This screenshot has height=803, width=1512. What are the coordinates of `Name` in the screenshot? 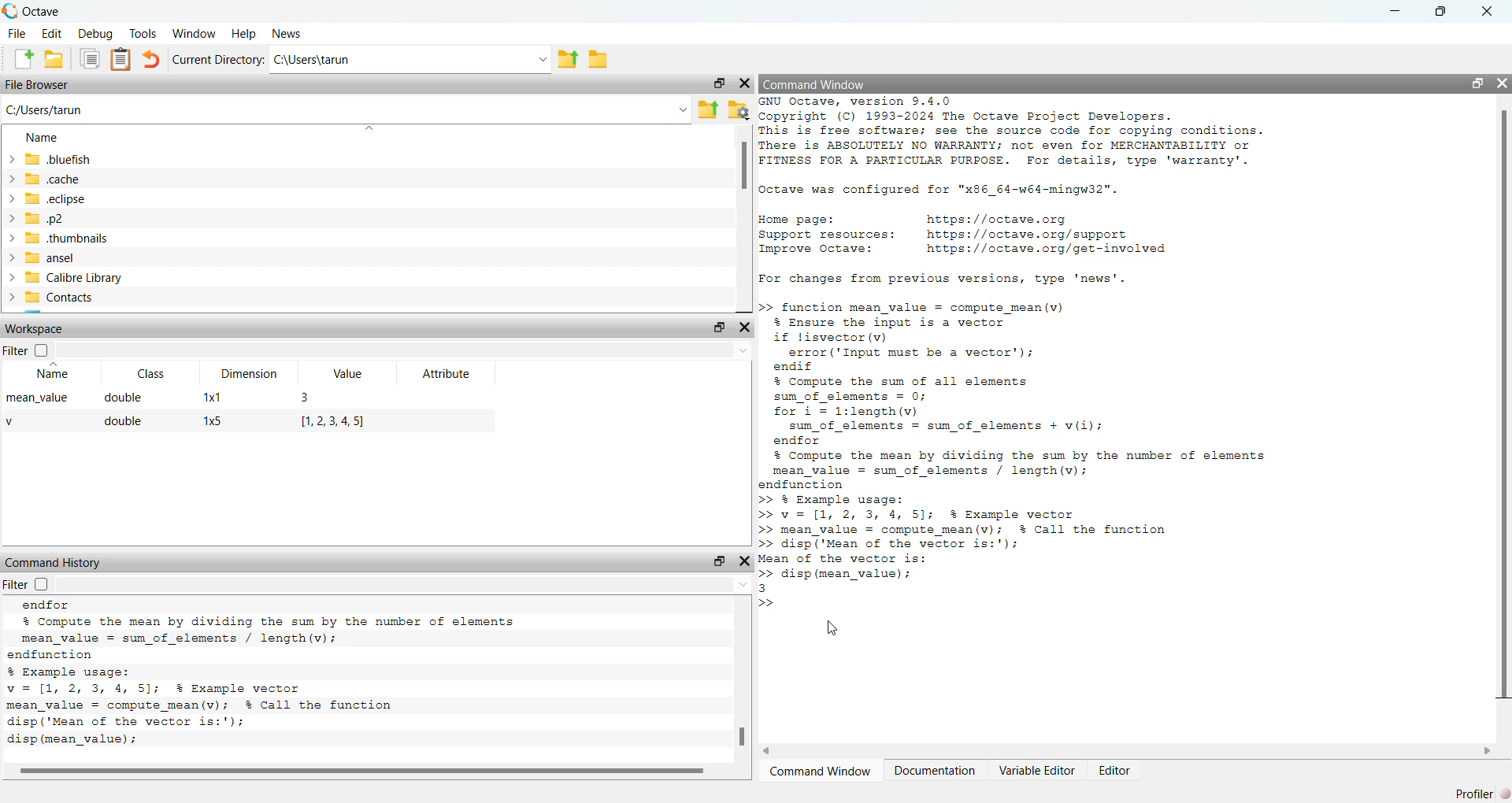 It's located at (55, 372).